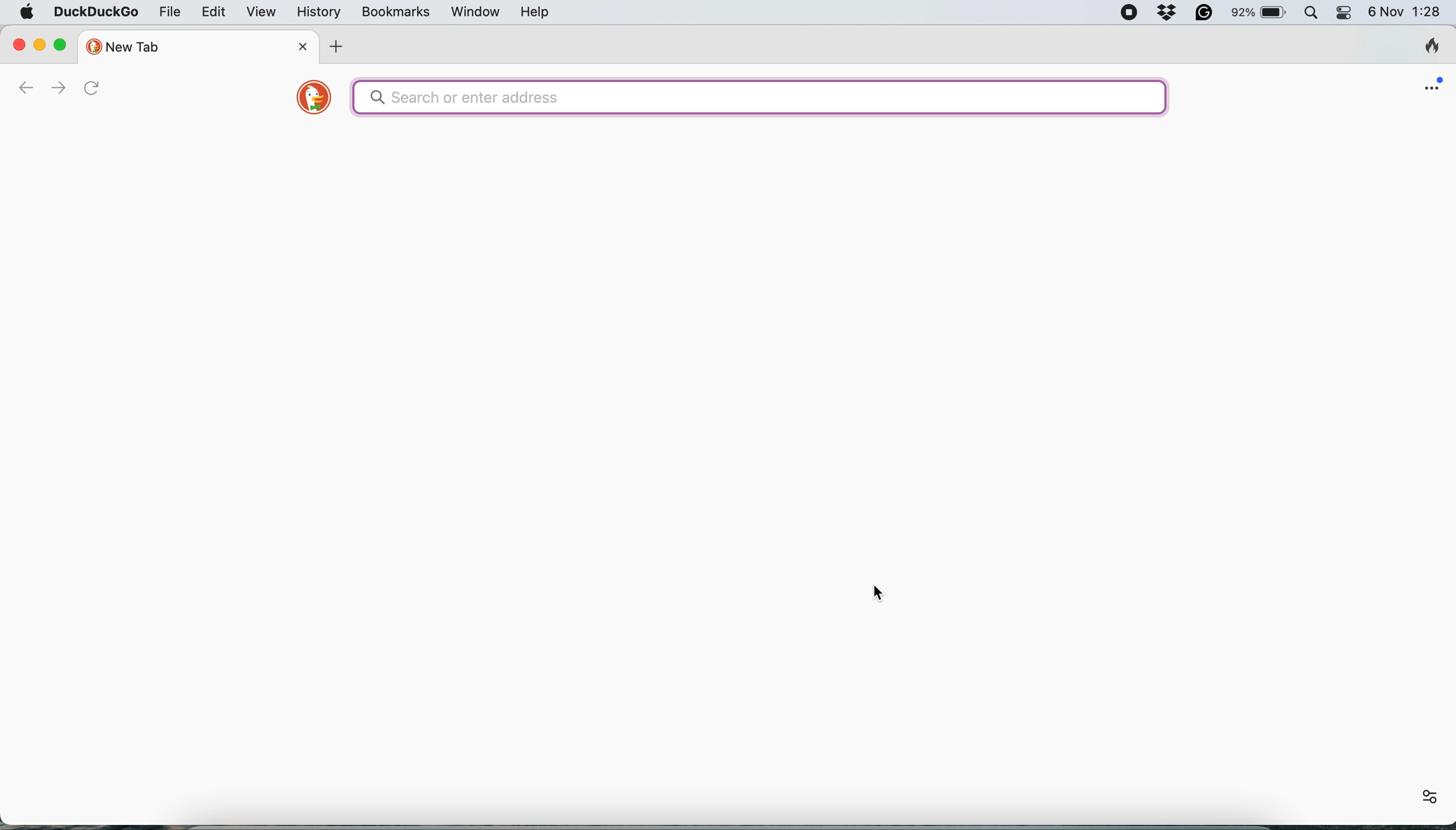 The image size is (1456, 830). I want to click on dropbox, so click(1170, 13).